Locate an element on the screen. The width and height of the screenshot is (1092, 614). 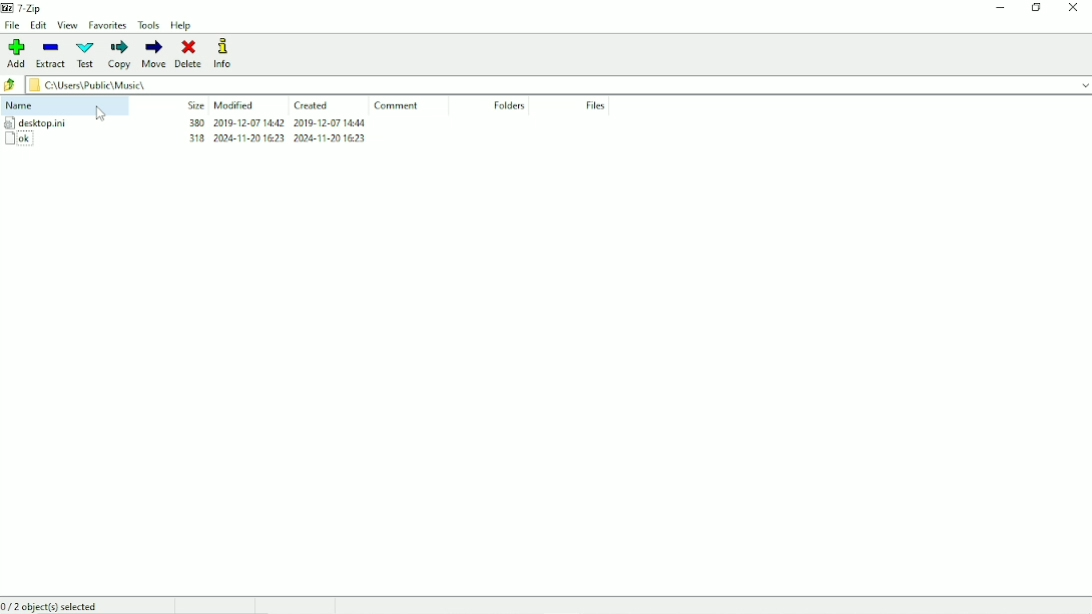
Name is located at coordinates (24, 107).